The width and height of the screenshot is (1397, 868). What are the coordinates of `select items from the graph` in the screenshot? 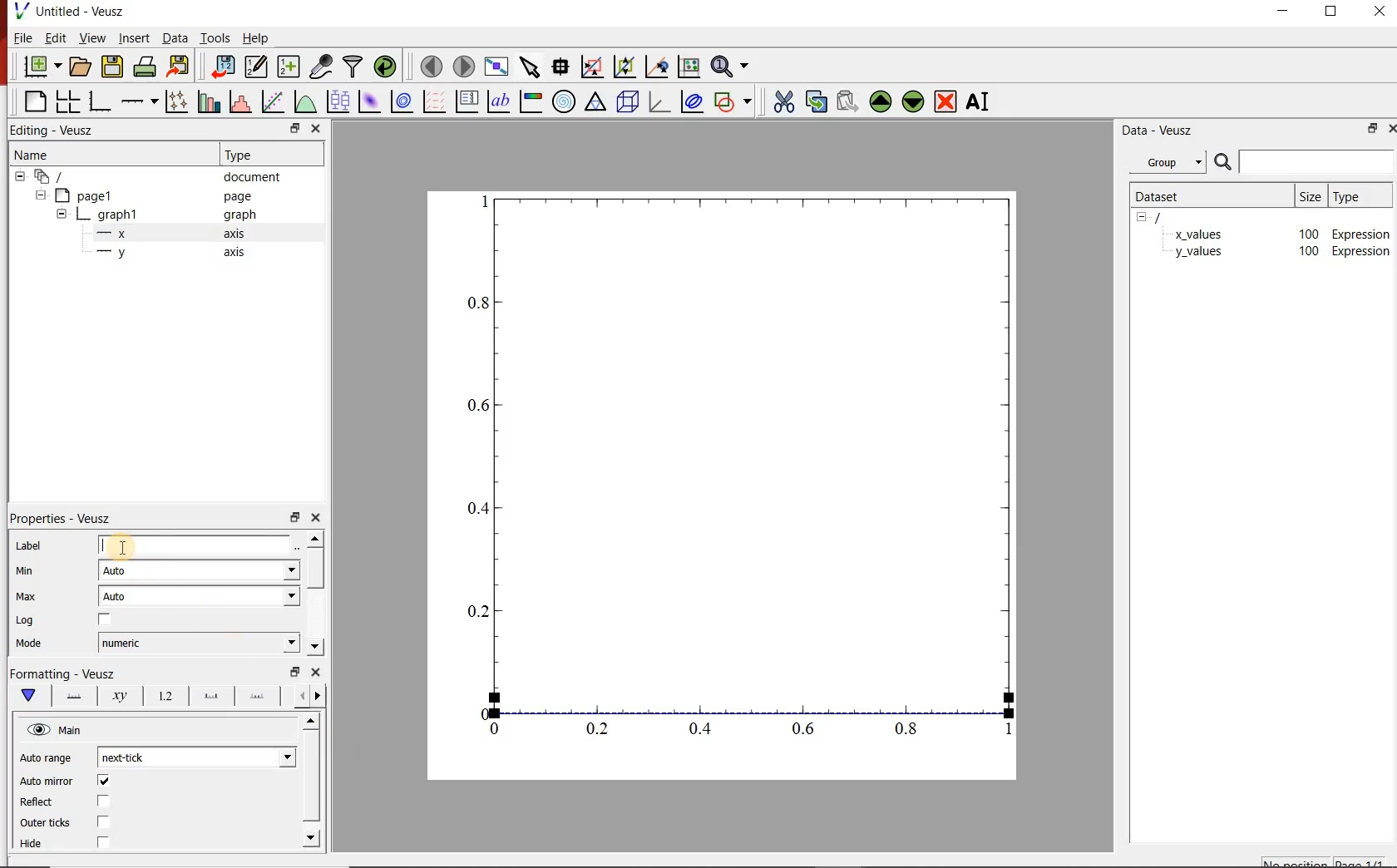 It's located at (531, 67).